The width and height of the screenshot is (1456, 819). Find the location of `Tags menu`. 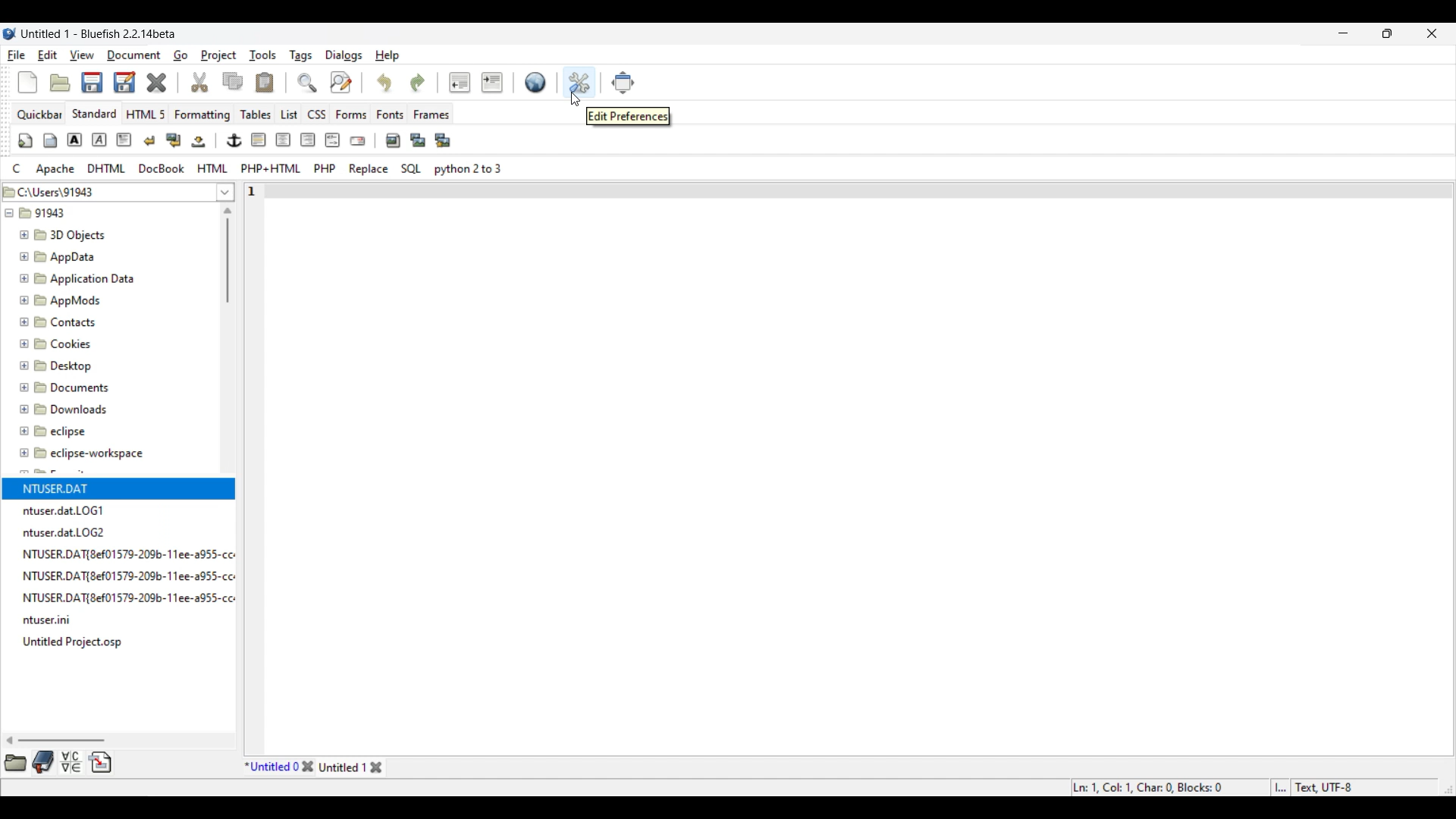

Tags menu is located at coordinates (300, 56).